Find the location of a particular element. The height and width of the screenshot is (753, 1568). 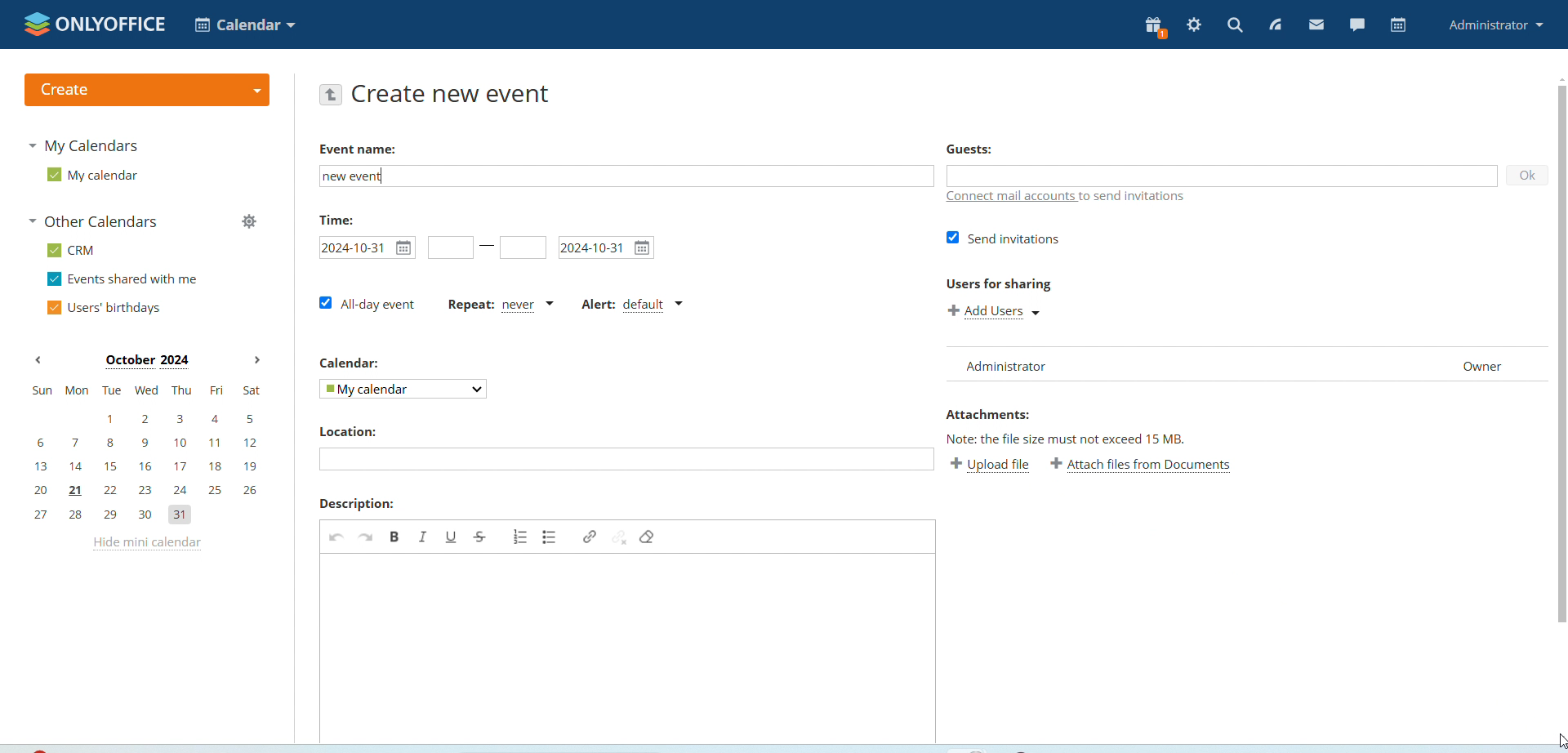

edit location is located at coordinates (626, 461).